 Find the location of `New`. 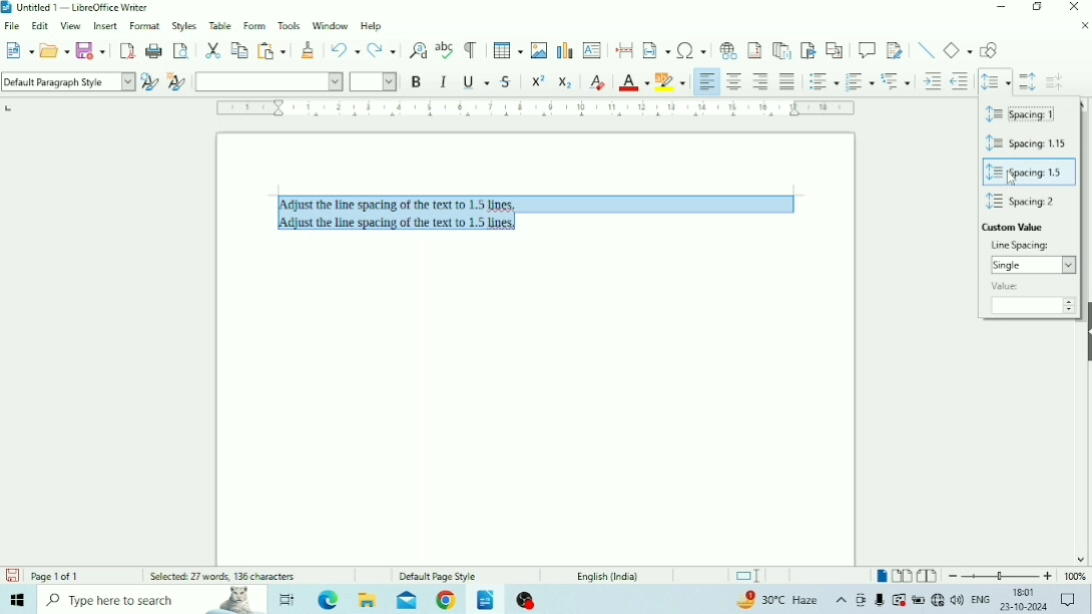

New is located at coordinates (20, 49).